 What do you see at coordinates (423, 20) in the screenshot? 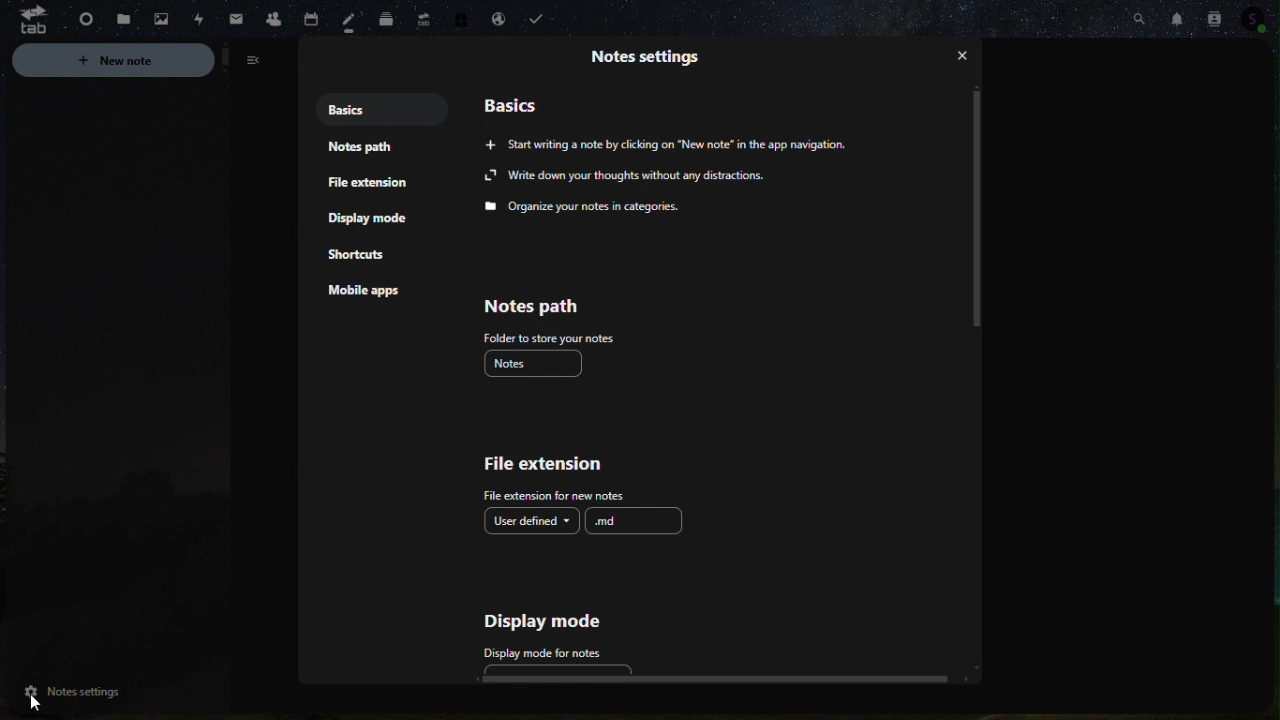
I see `Upgrade` at bounding box center [423, 20].